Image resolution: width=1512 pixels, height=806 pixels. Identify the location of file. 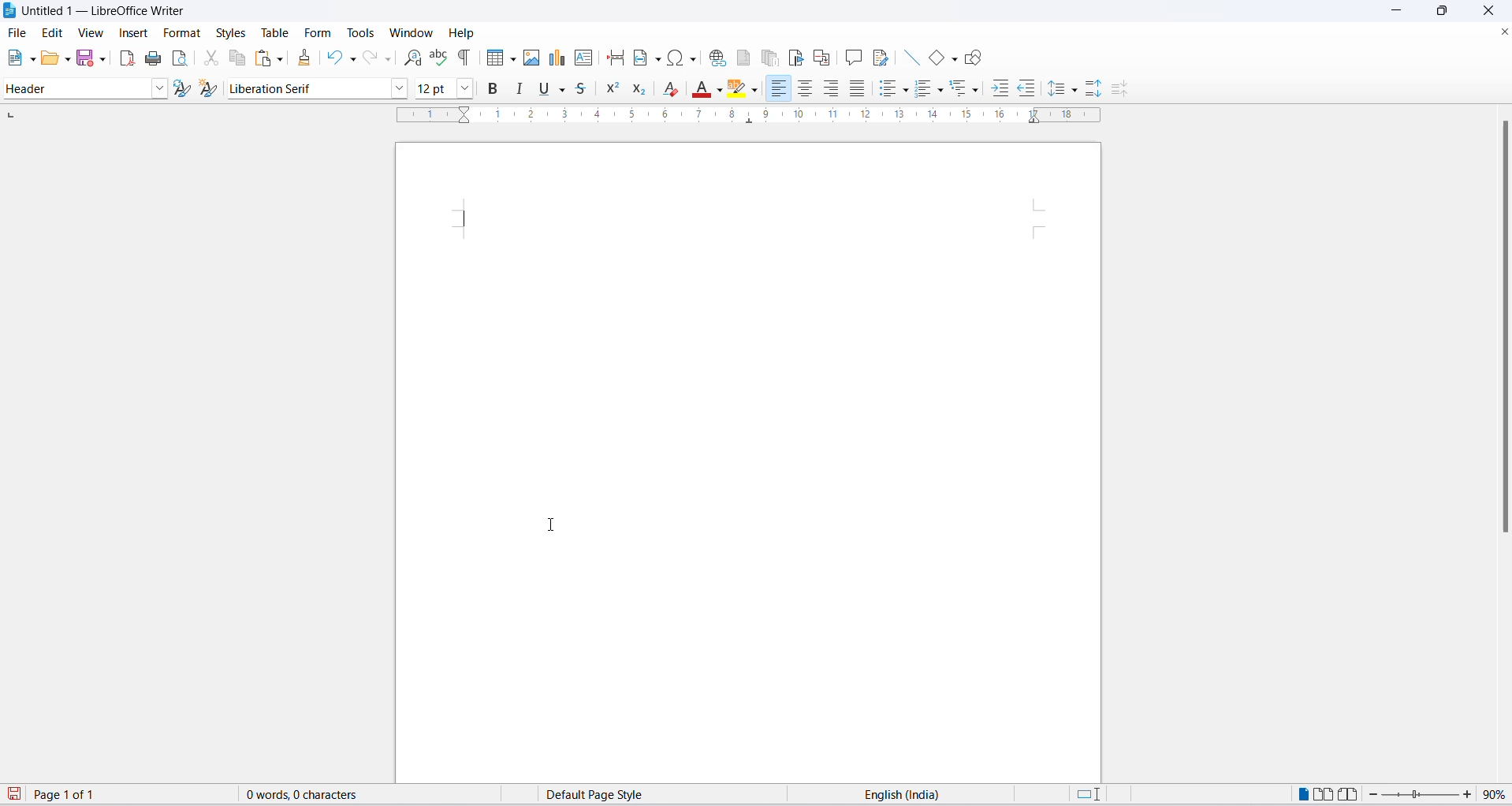
(18, 32).